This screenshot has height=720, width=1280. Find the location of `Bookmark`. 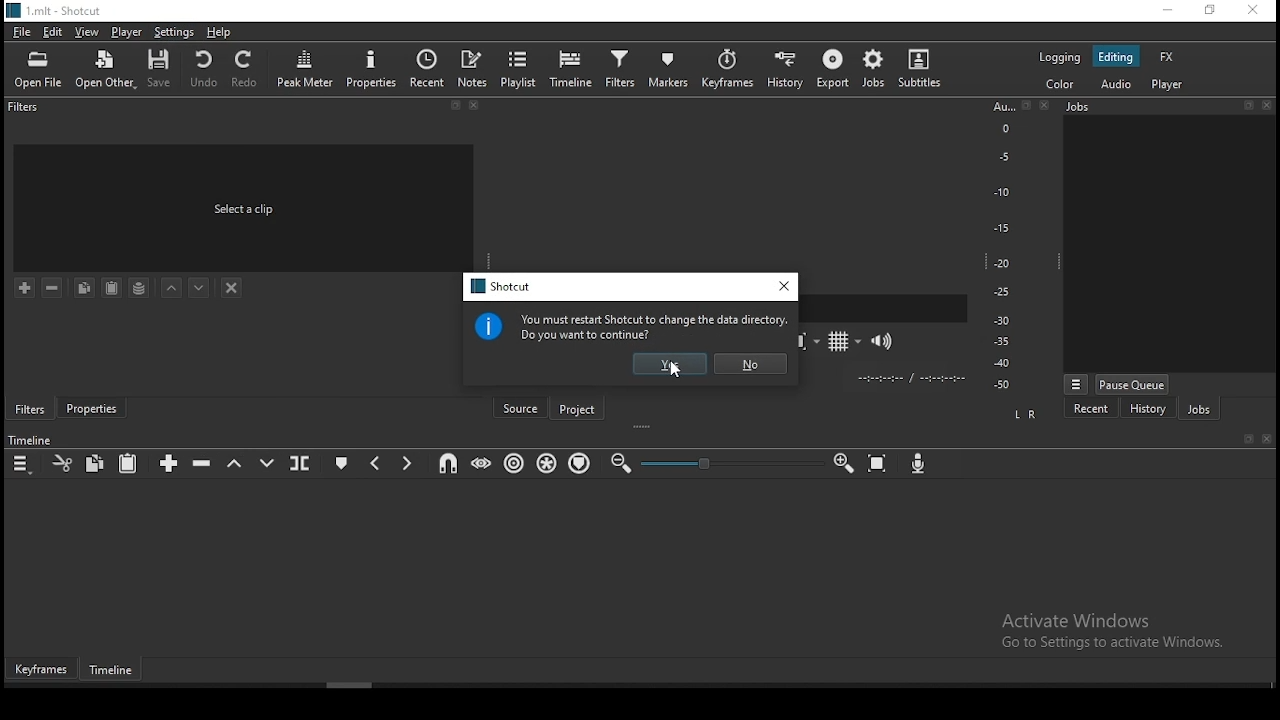

Bookmark is located at coordinates (1247, 104).